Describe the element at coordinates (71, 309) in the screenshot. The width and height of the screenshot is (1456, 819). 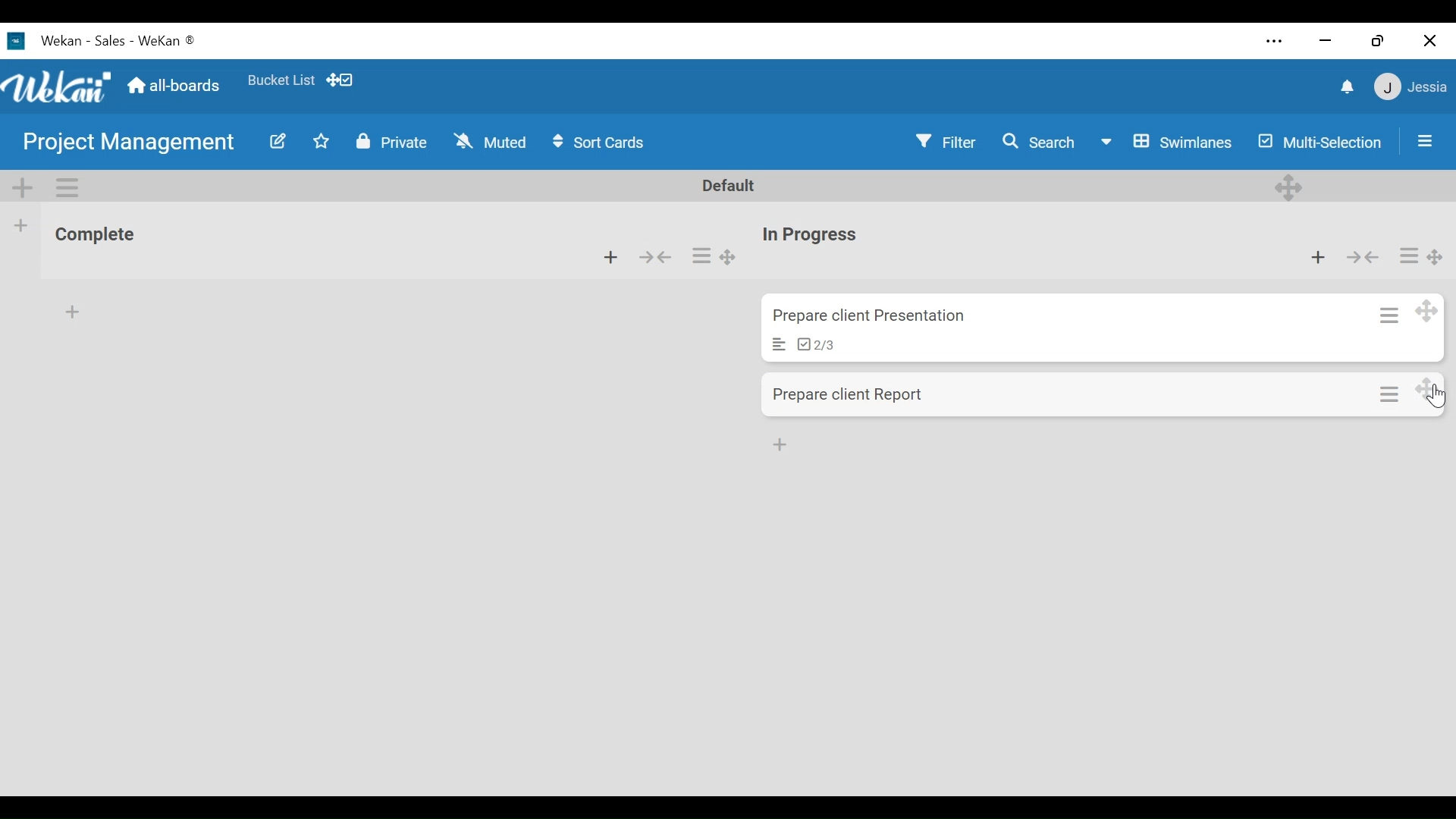
I see `Add card at the bottom of the list` at that location.